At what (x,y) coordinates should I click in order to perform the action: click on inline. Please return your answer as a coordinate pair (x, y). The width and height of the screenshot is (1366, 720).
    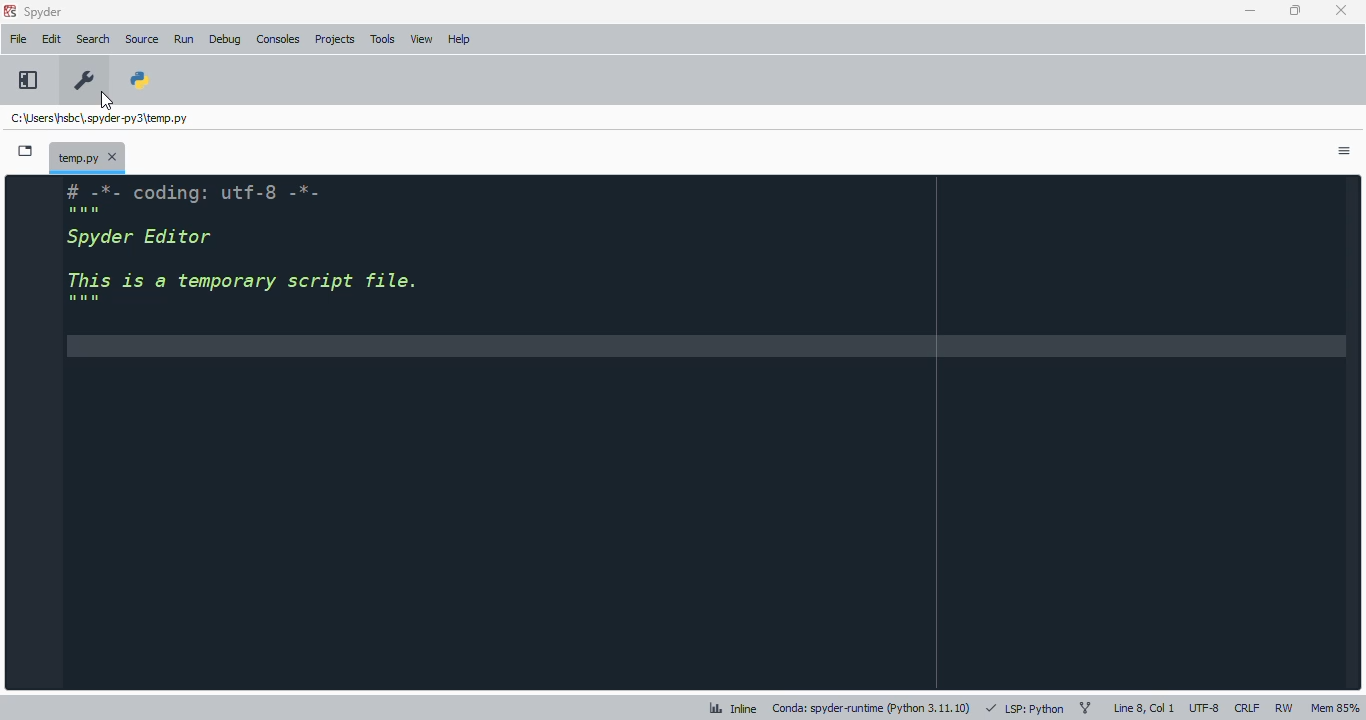
    Looking at the image, I should click on (733, 708).